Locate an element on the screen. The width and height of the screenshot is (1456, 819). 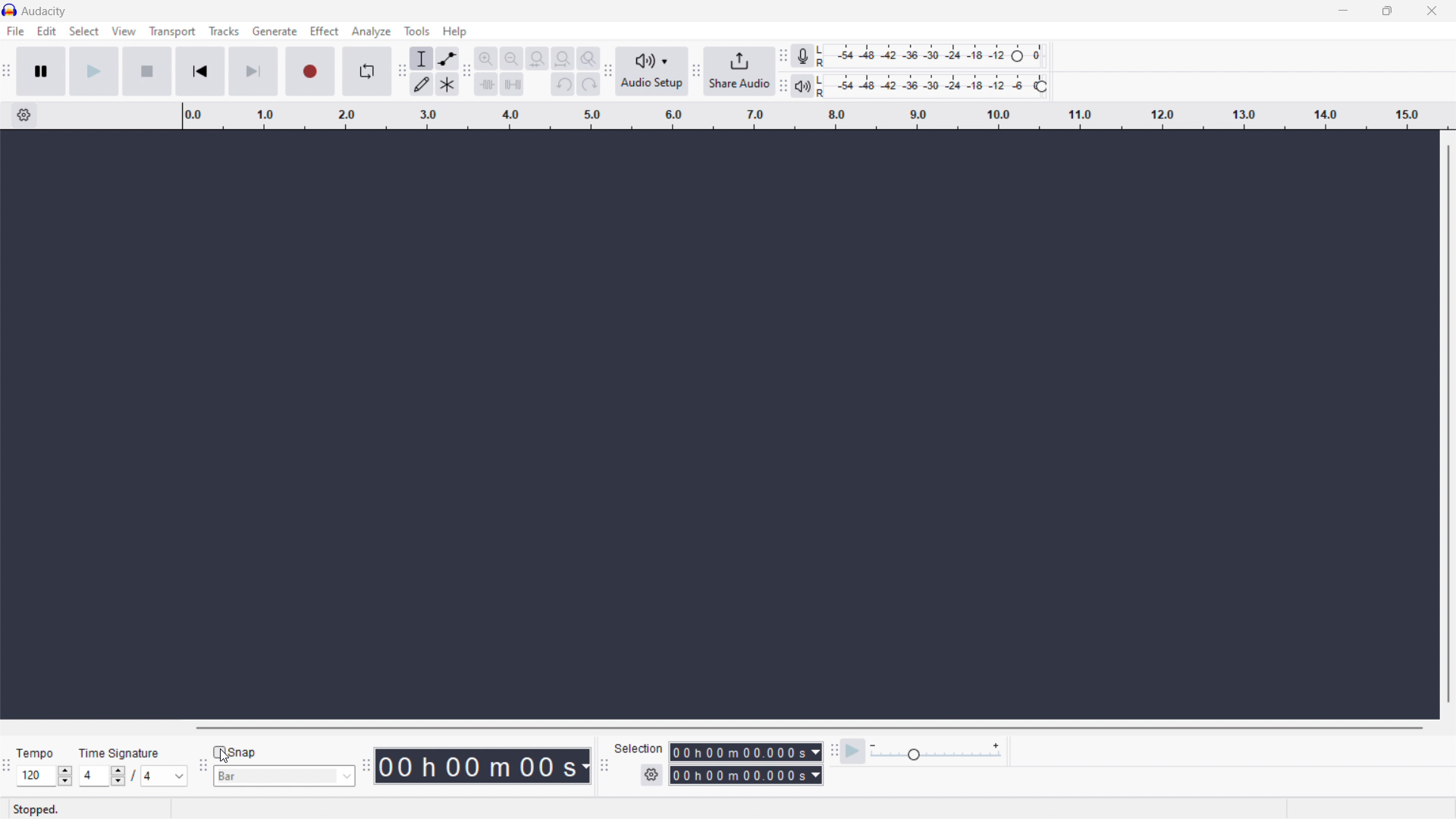
record is located at coordinates (309, 71).